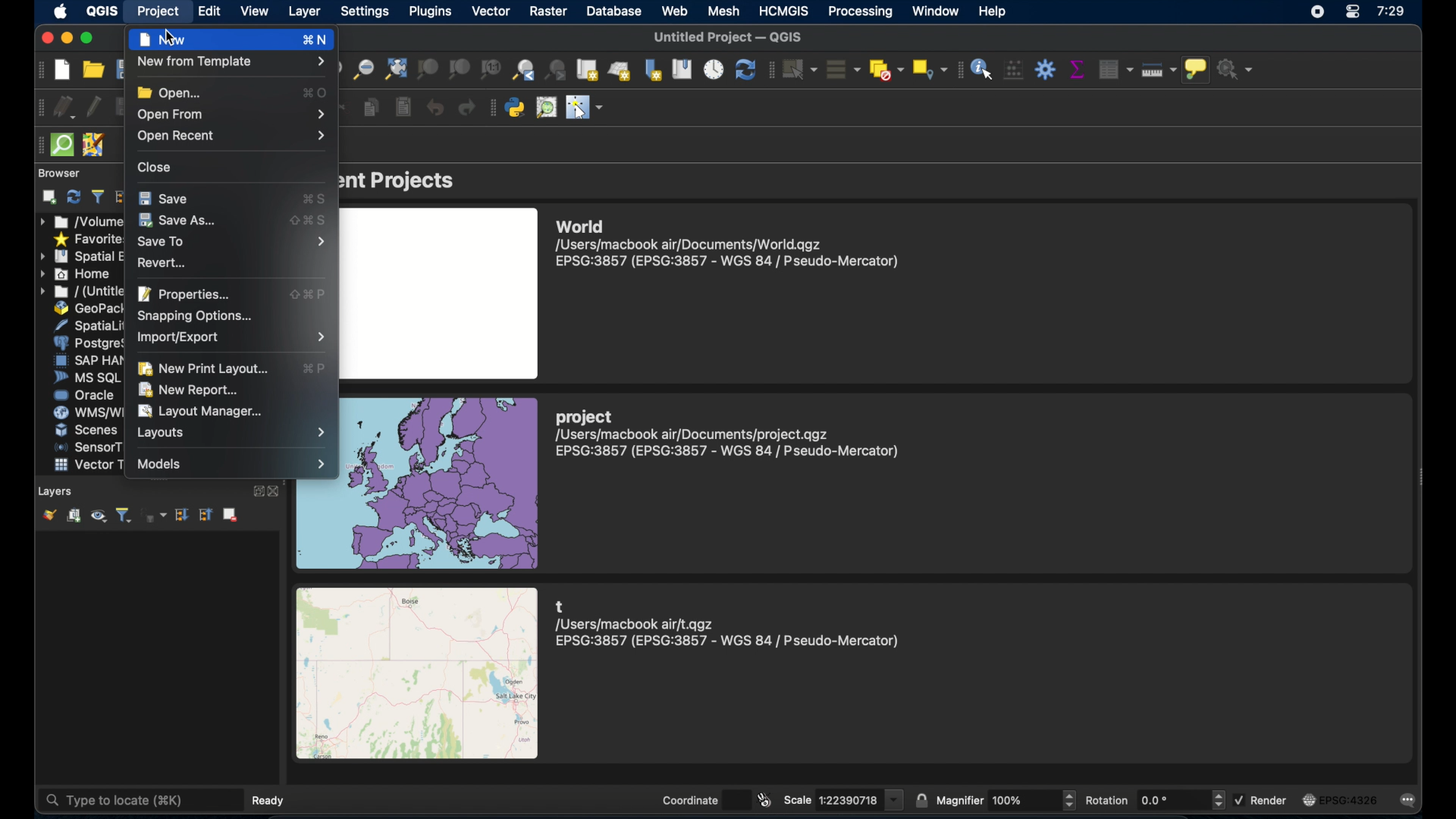 The height and width of the screenshot is (819, 1456). What do you see at coordinates (581, 227) in the screenshot?
I see `World` at bounding box center [581, 227].